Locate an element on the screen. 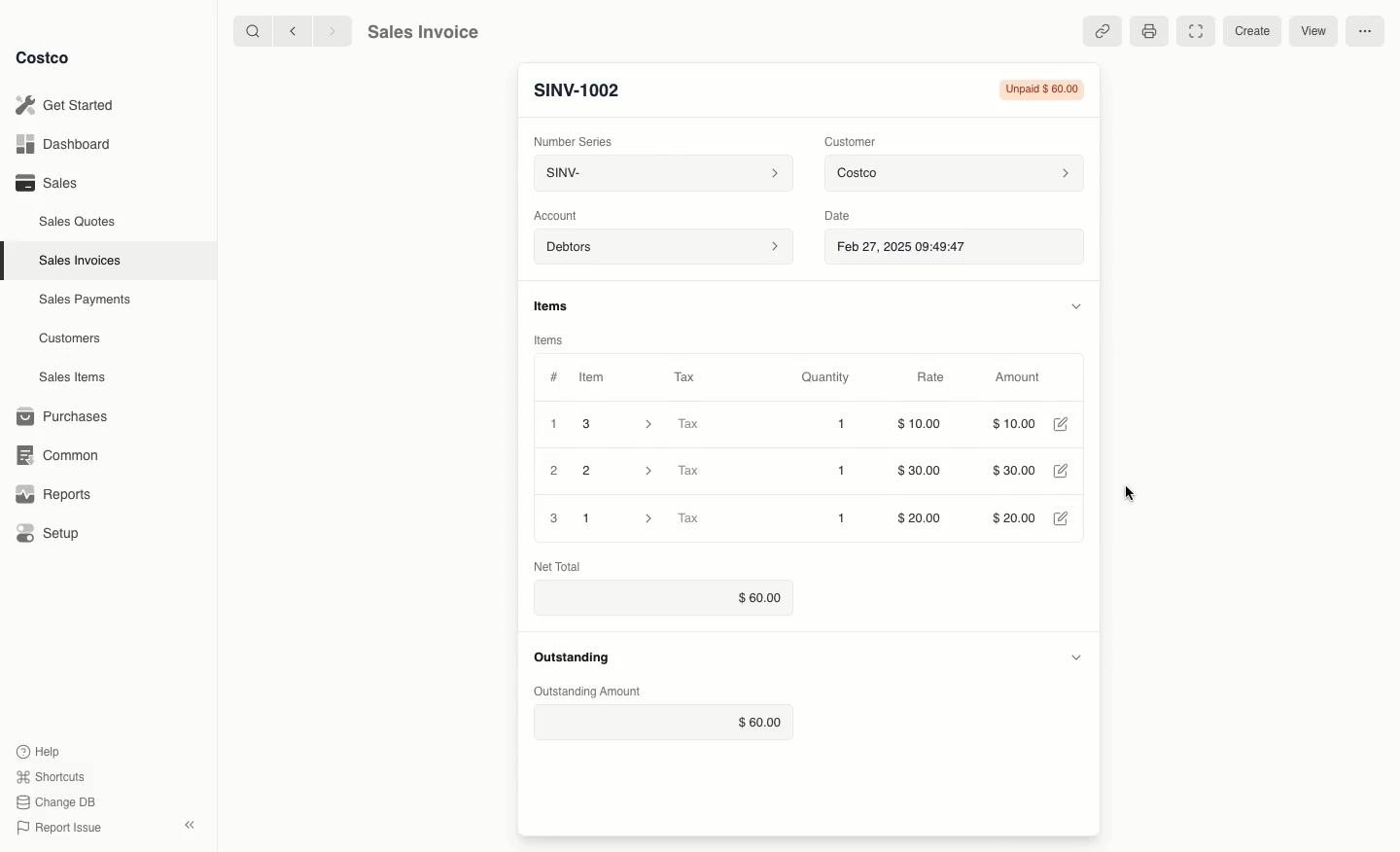  Report Issue is located at coordinates (59, 828).